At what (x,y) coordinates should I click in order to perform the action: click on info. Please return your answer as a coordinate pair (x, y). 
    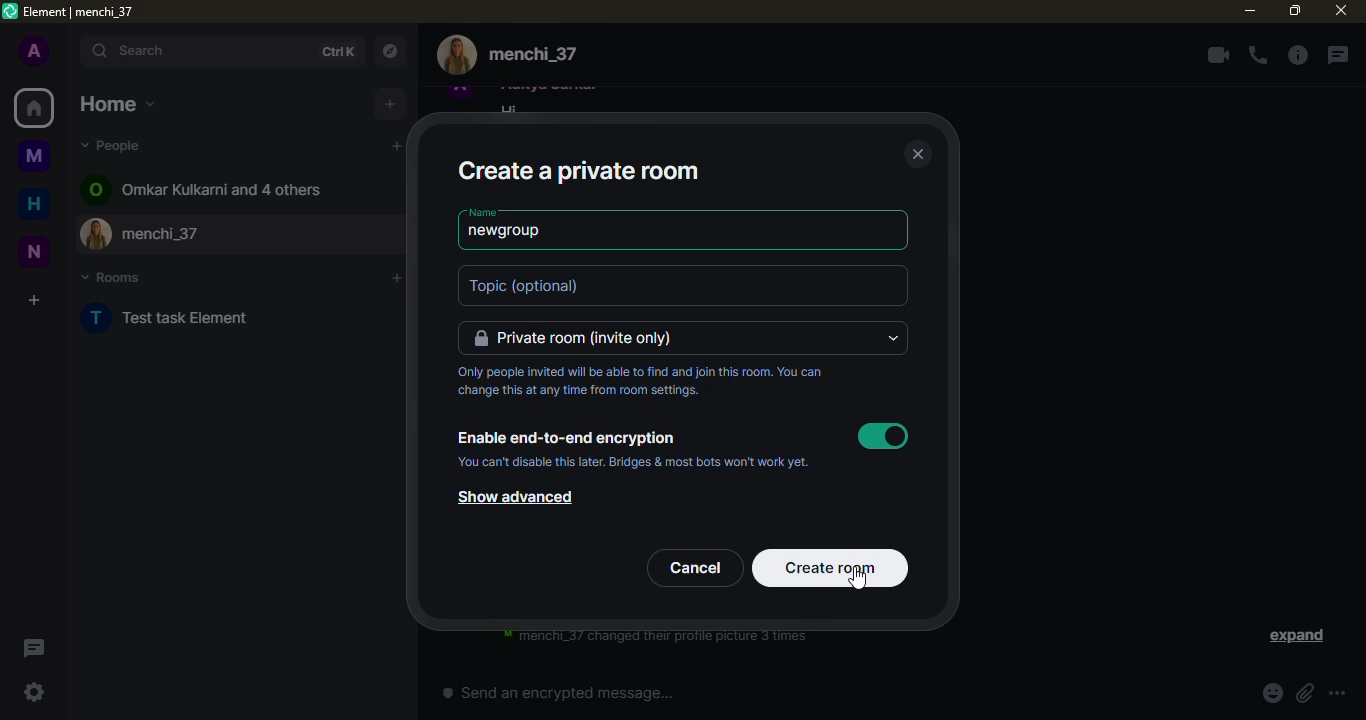
    Looking at the image, I should click on (1297, 55).